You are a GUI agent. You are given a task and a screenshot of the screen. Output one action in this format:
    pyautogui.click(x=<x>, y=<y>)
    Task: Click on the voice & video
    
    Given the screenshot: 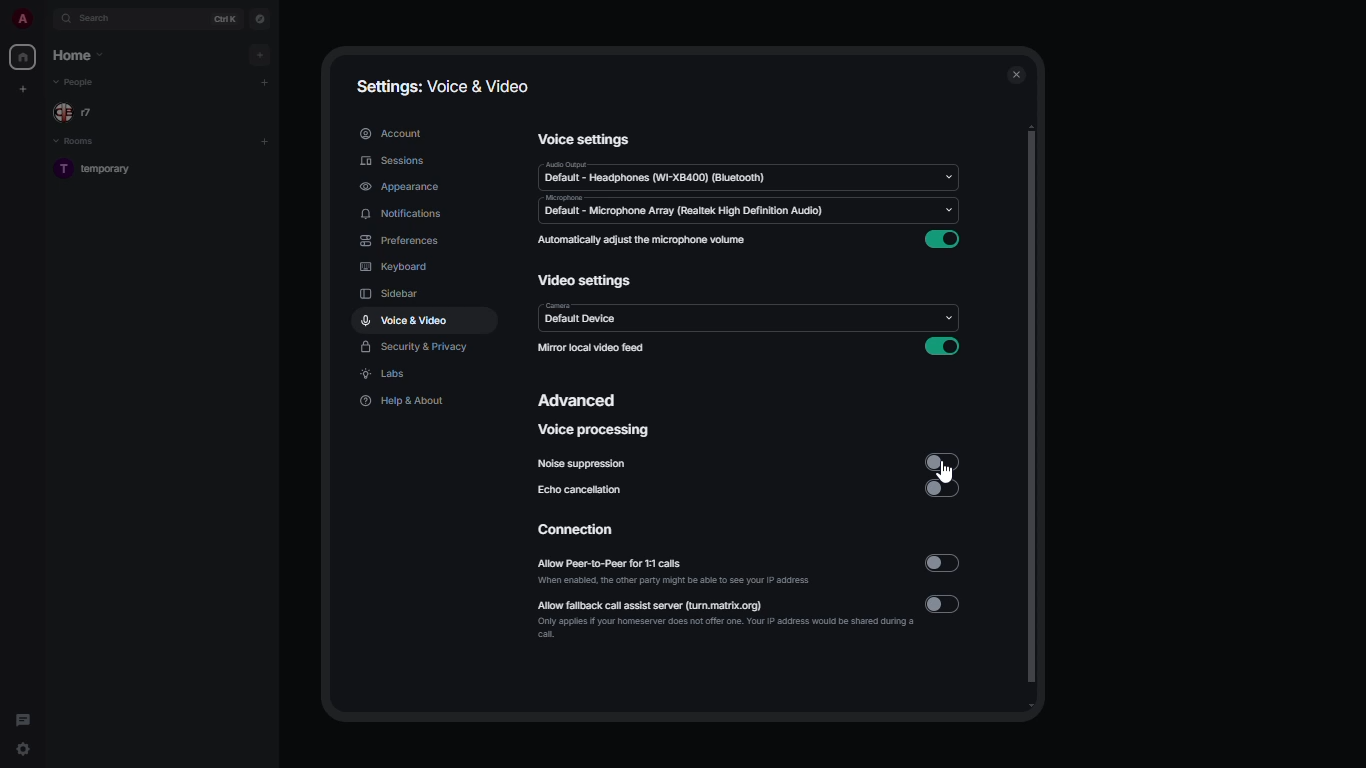 What is the action you would take?
    pyautogui.click(x=406, y=320)
    